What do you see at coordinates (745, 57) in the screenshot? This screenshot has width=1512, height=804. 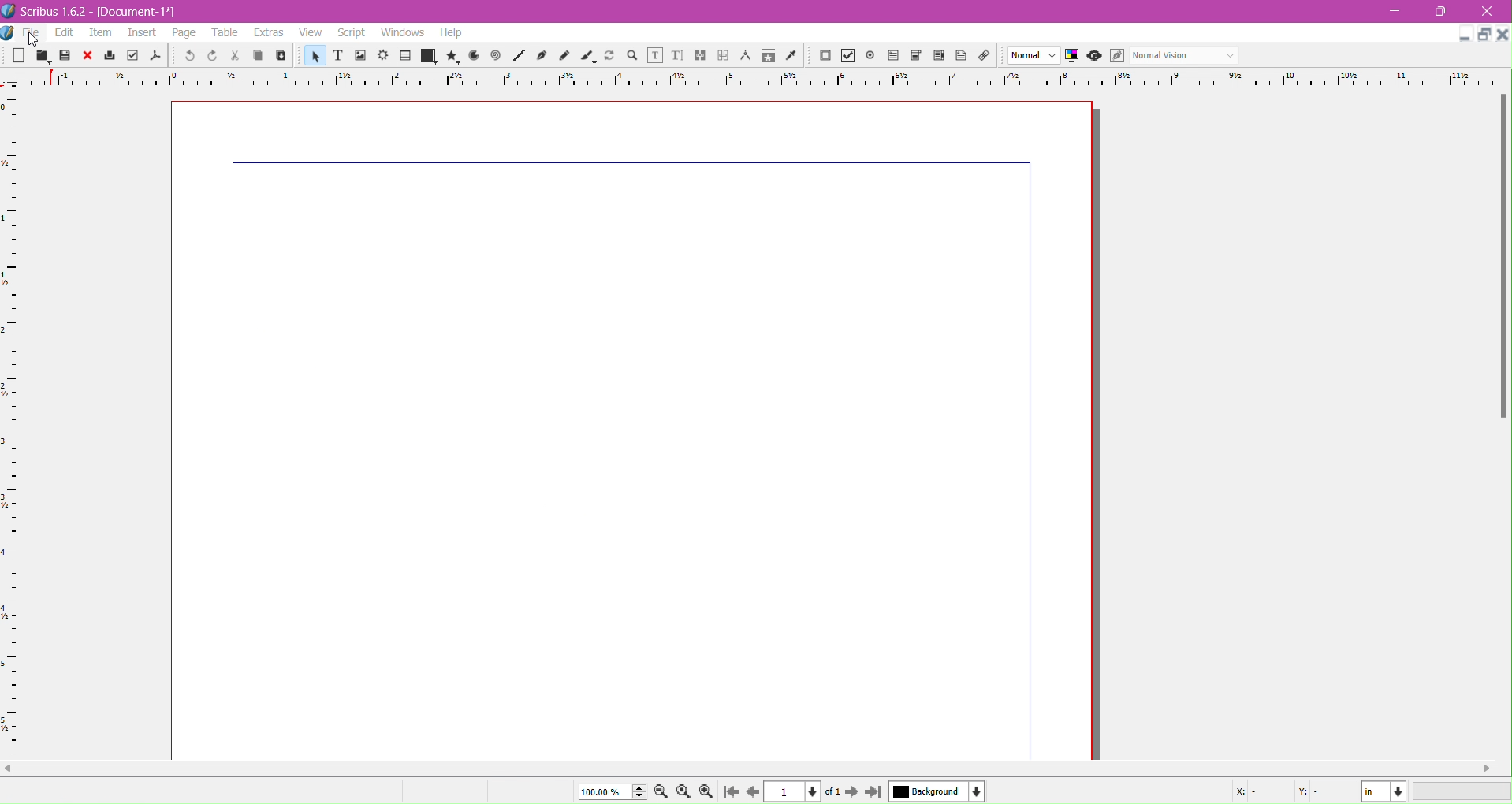 I see `measurements` at bounding box center [745, 57].